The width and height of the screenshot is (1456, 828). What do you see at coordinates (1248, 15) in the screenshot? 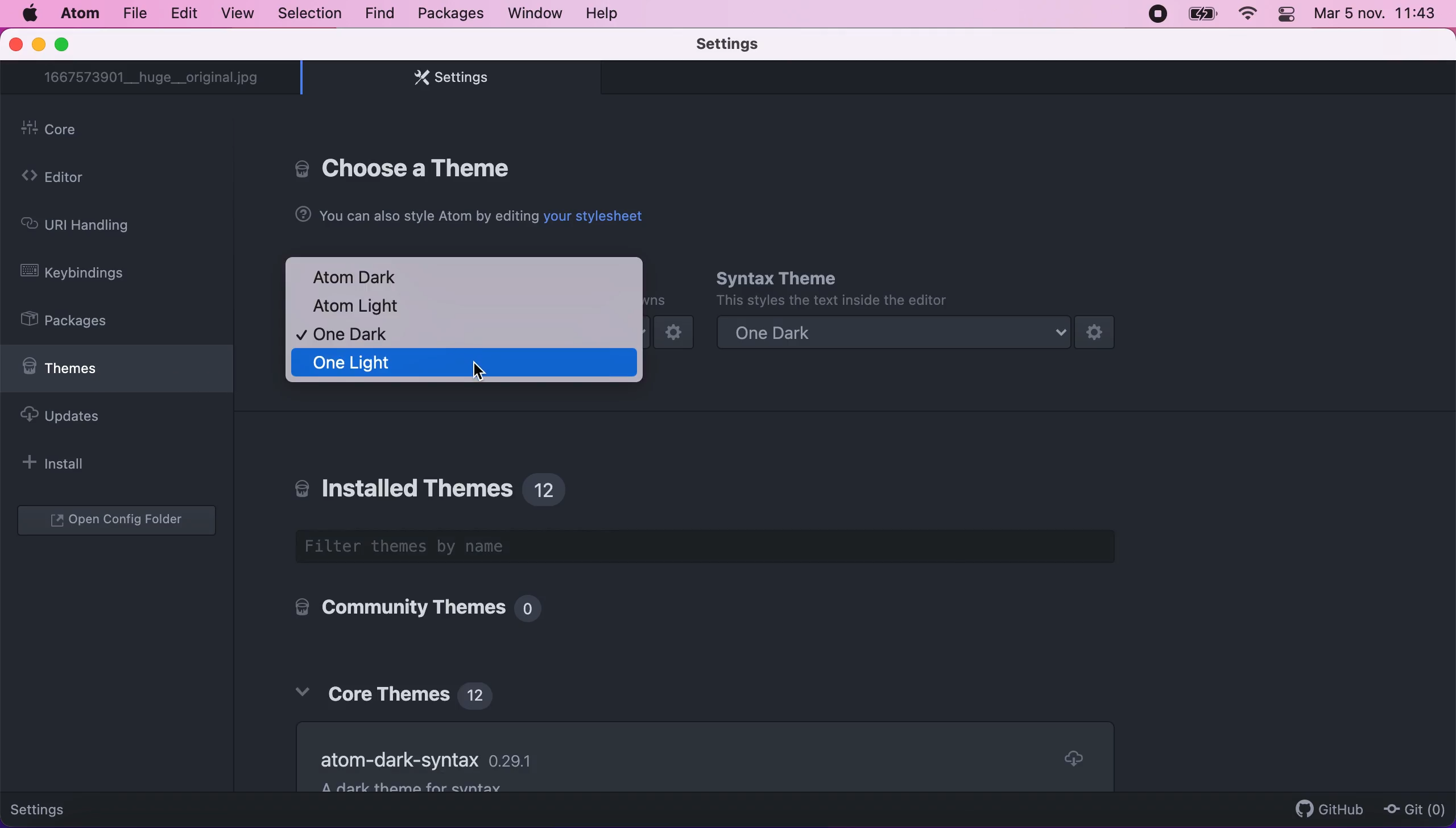
I see `wifi` at bounding box center [1248, 15].